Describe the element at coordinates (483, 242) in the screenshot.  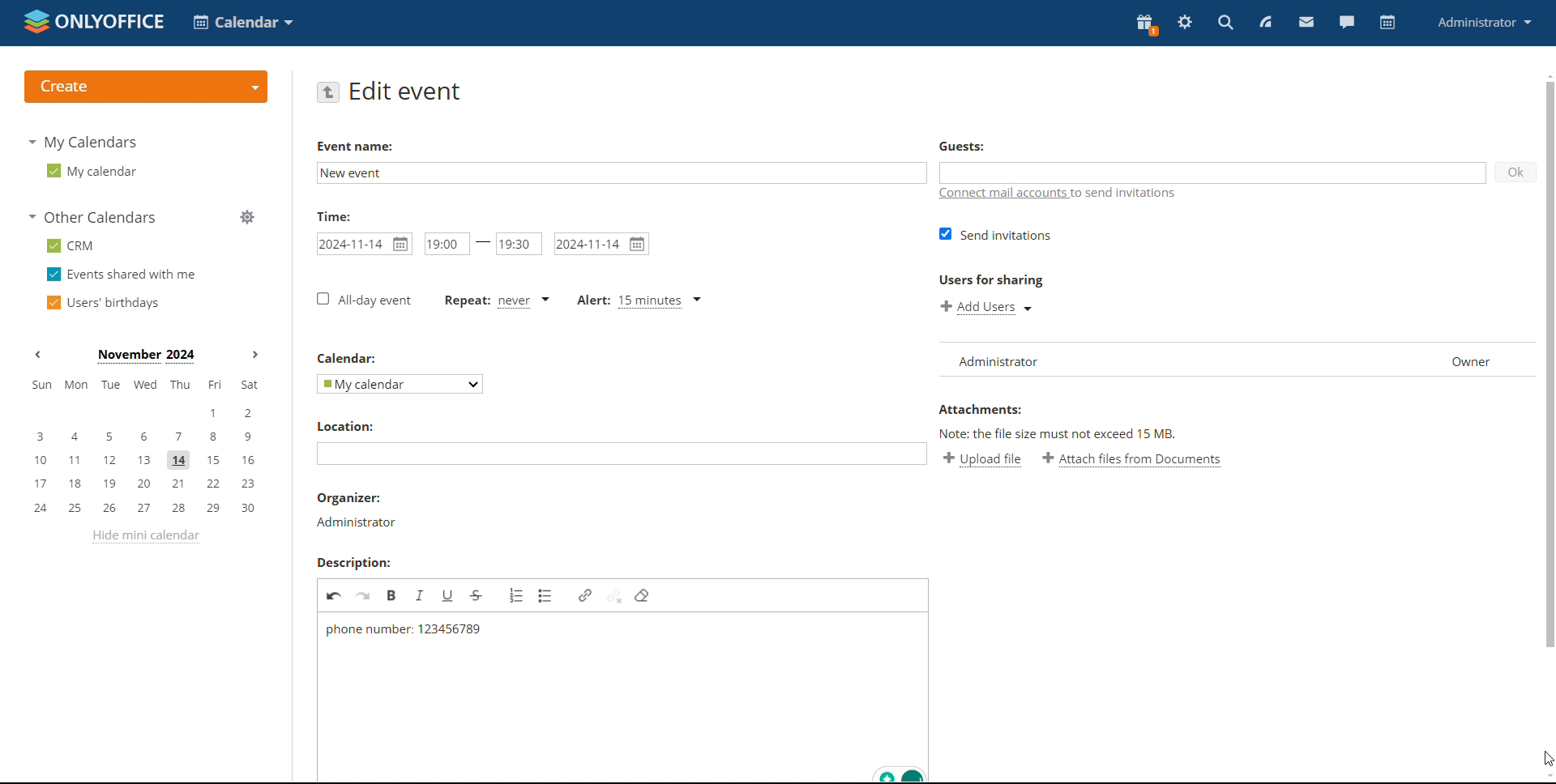
I see `-` at that location.